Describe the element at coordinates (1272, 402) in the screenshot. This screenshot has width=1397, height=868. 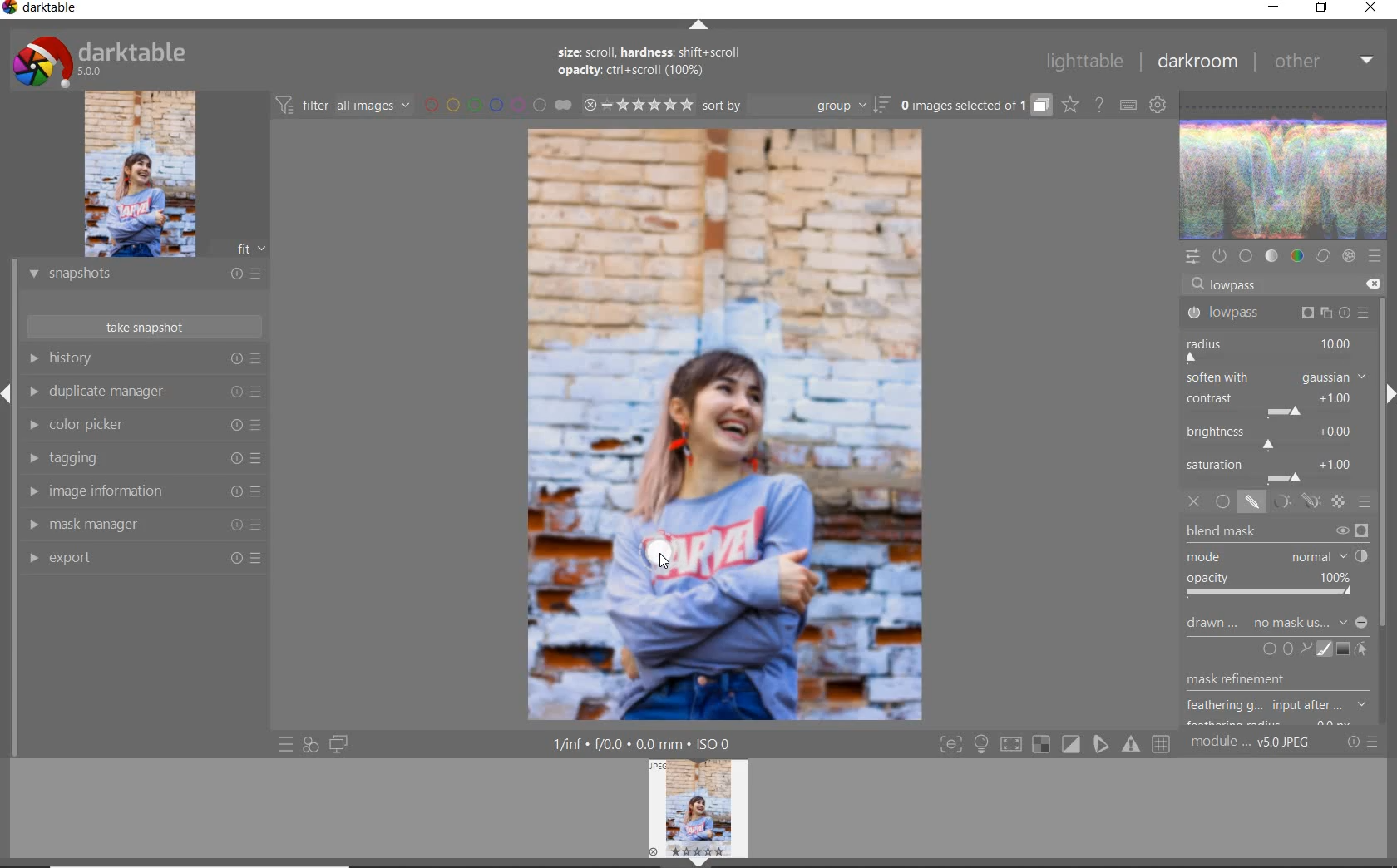
I see `contrast` at that location.